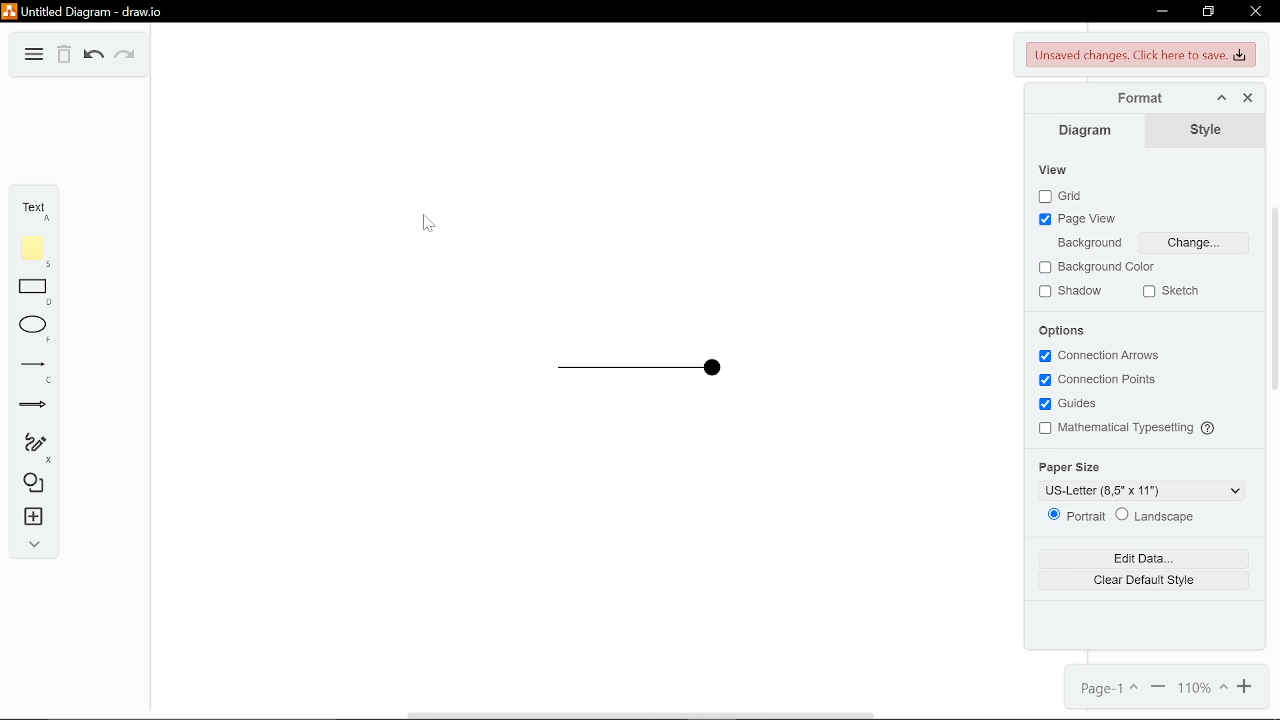  What do you see at coordinates (37, 409) in the screenshot?
I see `Arrow` at bounding box center [37, 409].